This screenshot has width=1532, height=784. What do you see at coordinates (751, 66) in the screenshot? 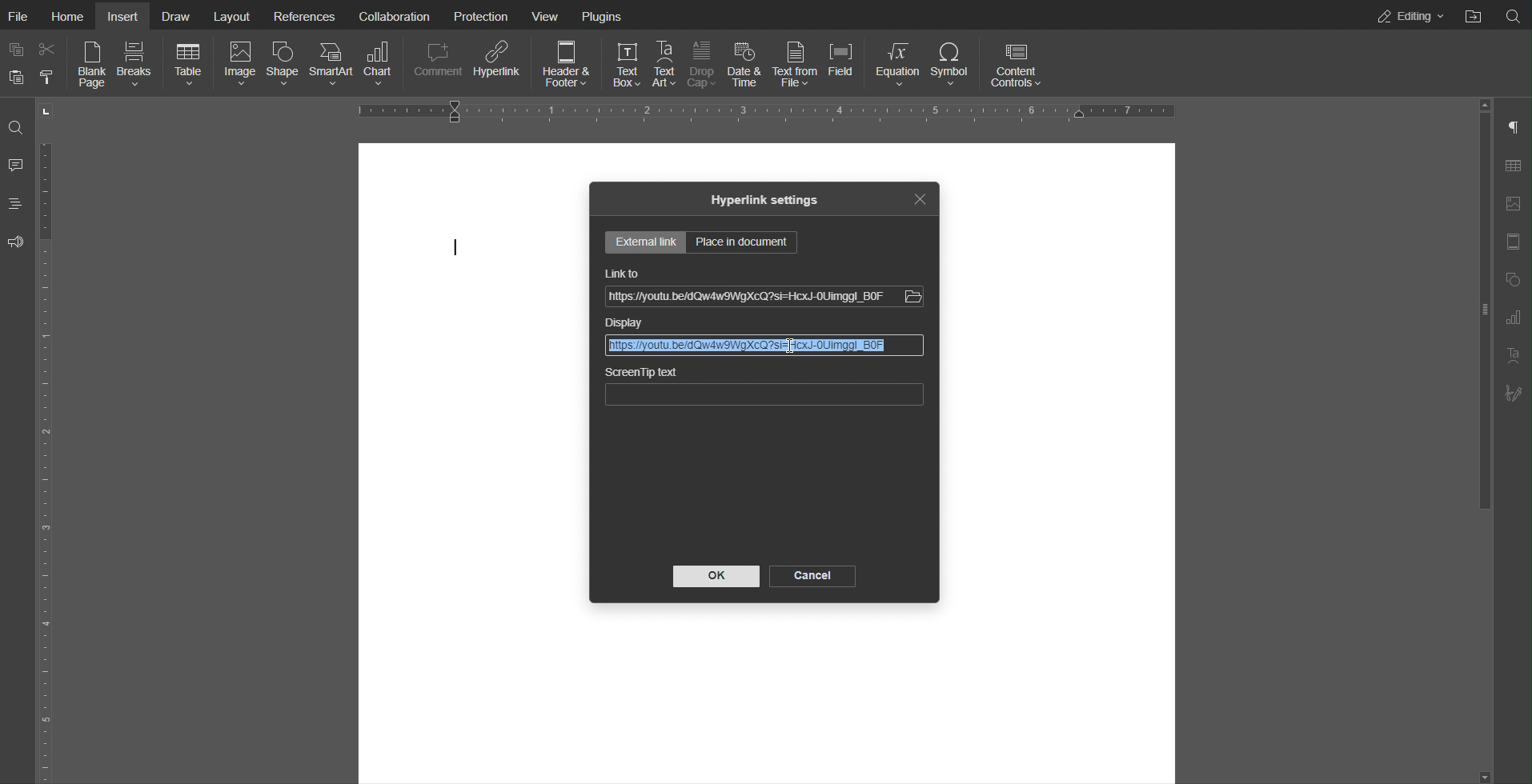
I see `Date & Time` at bounding box center [751, 66].